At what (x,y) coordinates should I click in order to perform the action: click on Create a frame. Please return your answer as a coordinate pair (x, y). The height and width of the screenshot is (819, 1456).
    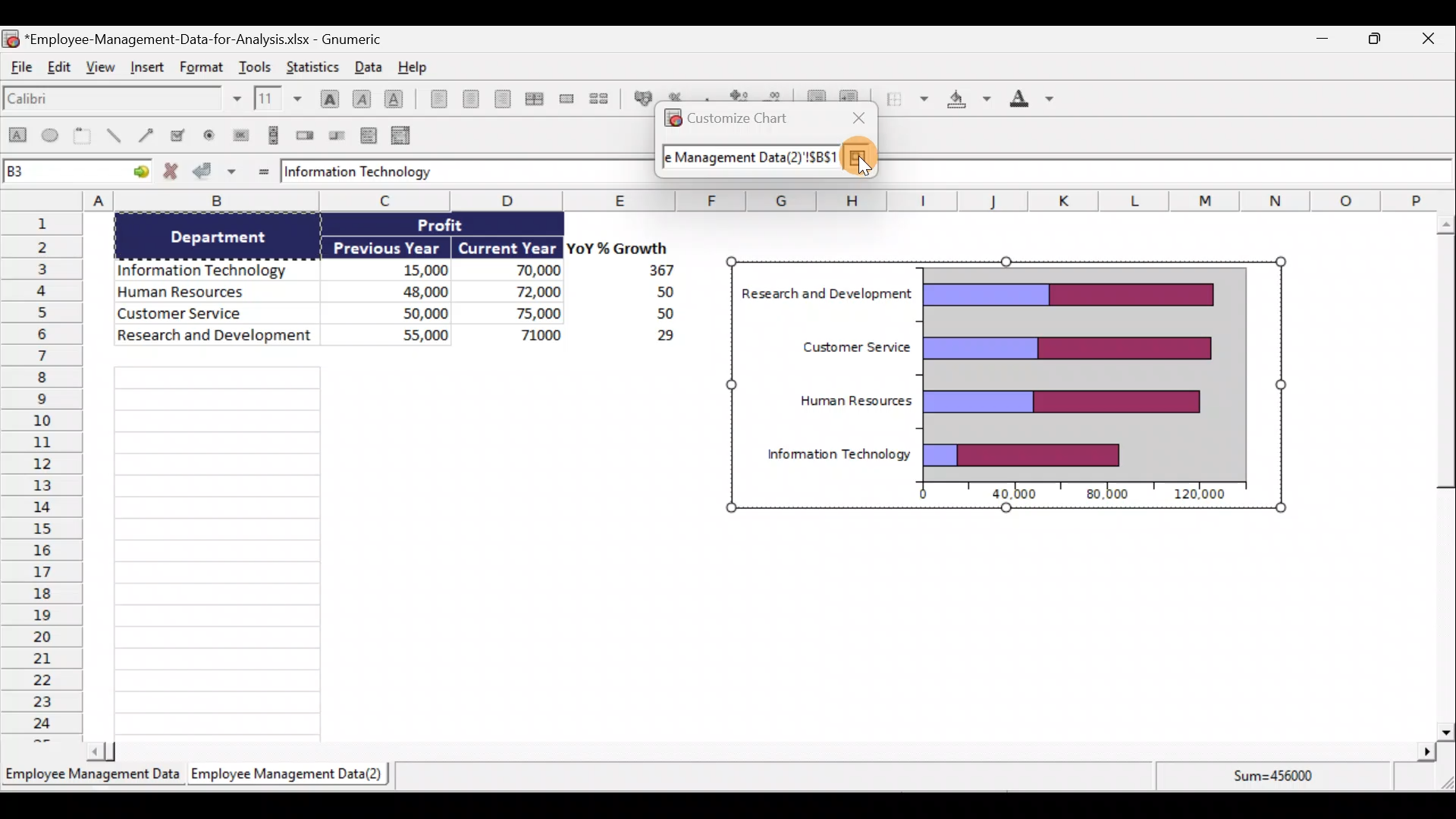
    Looking at the image, I should click on (83, 135).